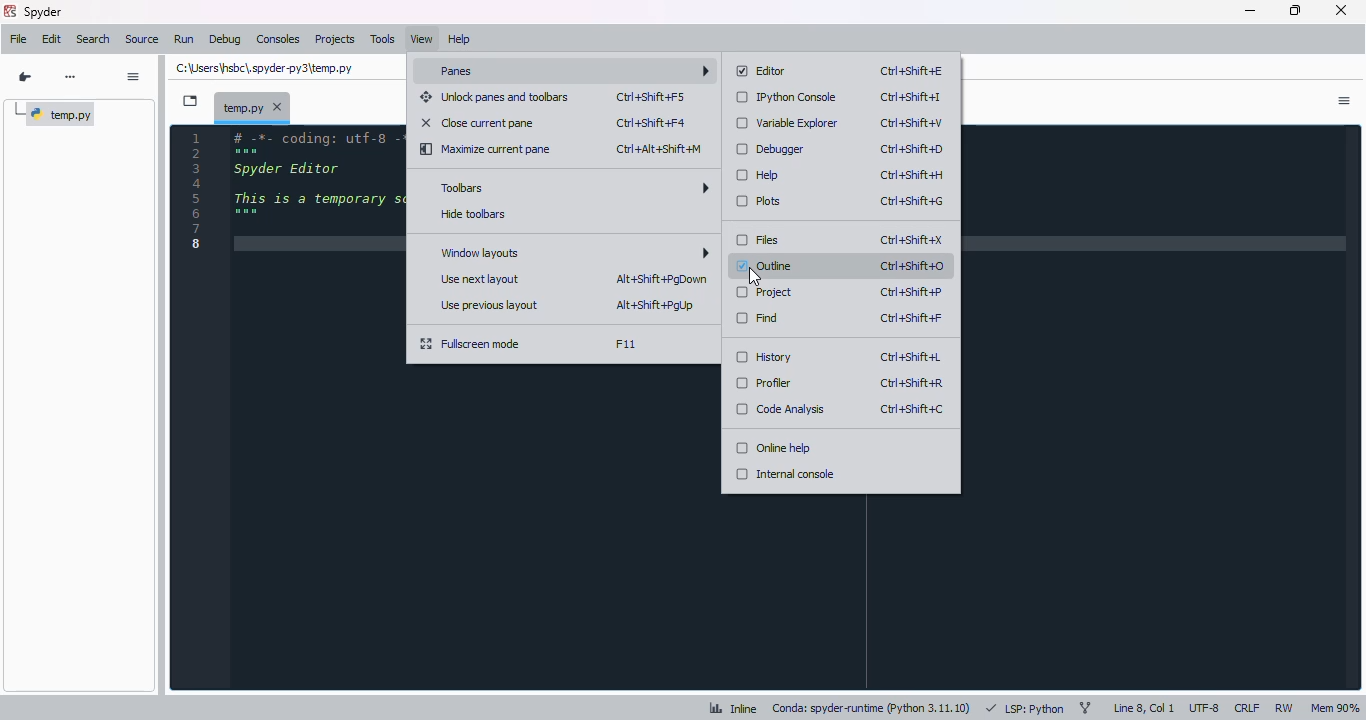 The image size is (1366, 720). I want to click on shortcut for unlock panes and toolbars, so click(651, 97).